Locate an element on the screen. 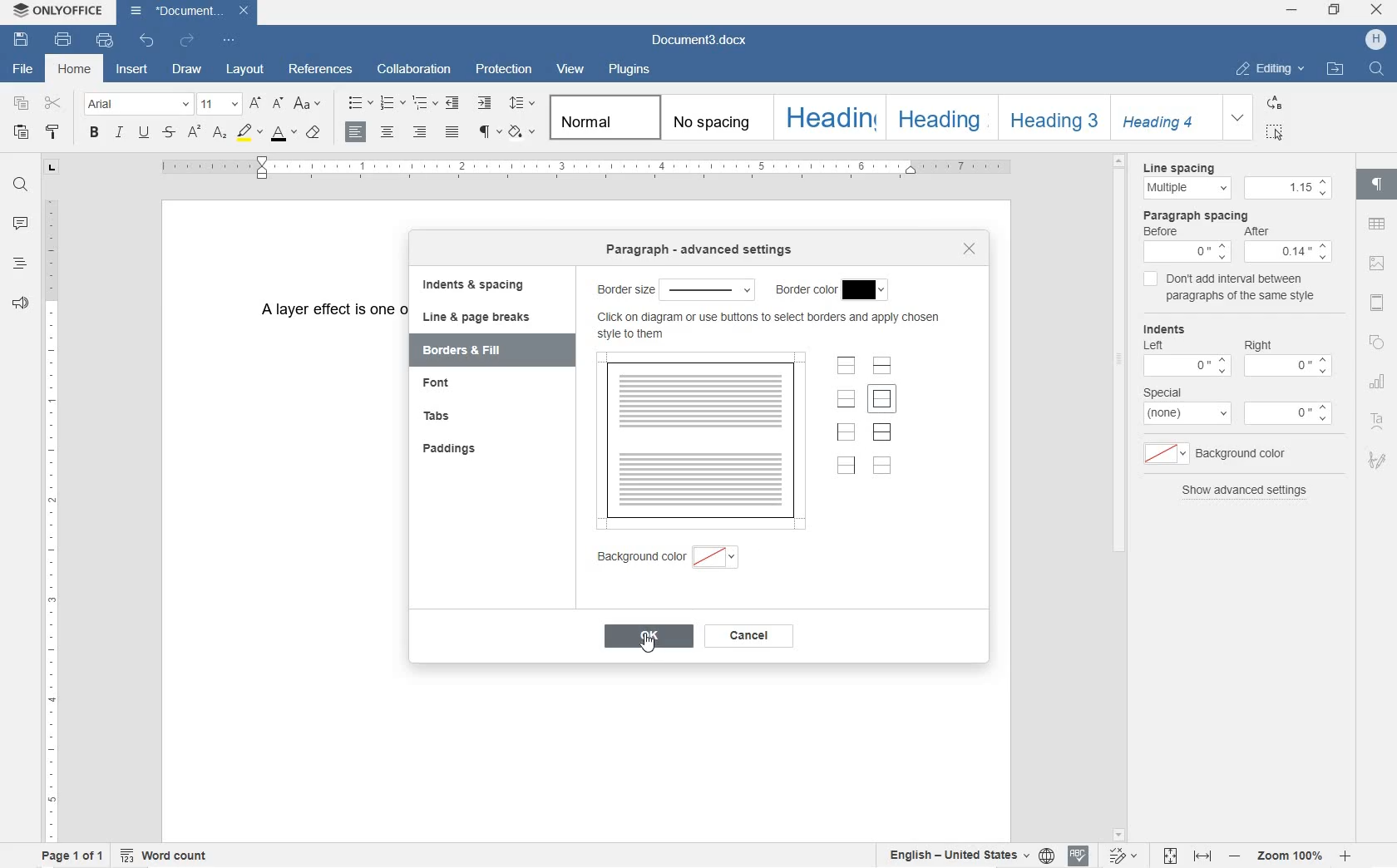 The width and height of the screenshot is (1397, 868). 0" is located at coordinates (1288, 414).